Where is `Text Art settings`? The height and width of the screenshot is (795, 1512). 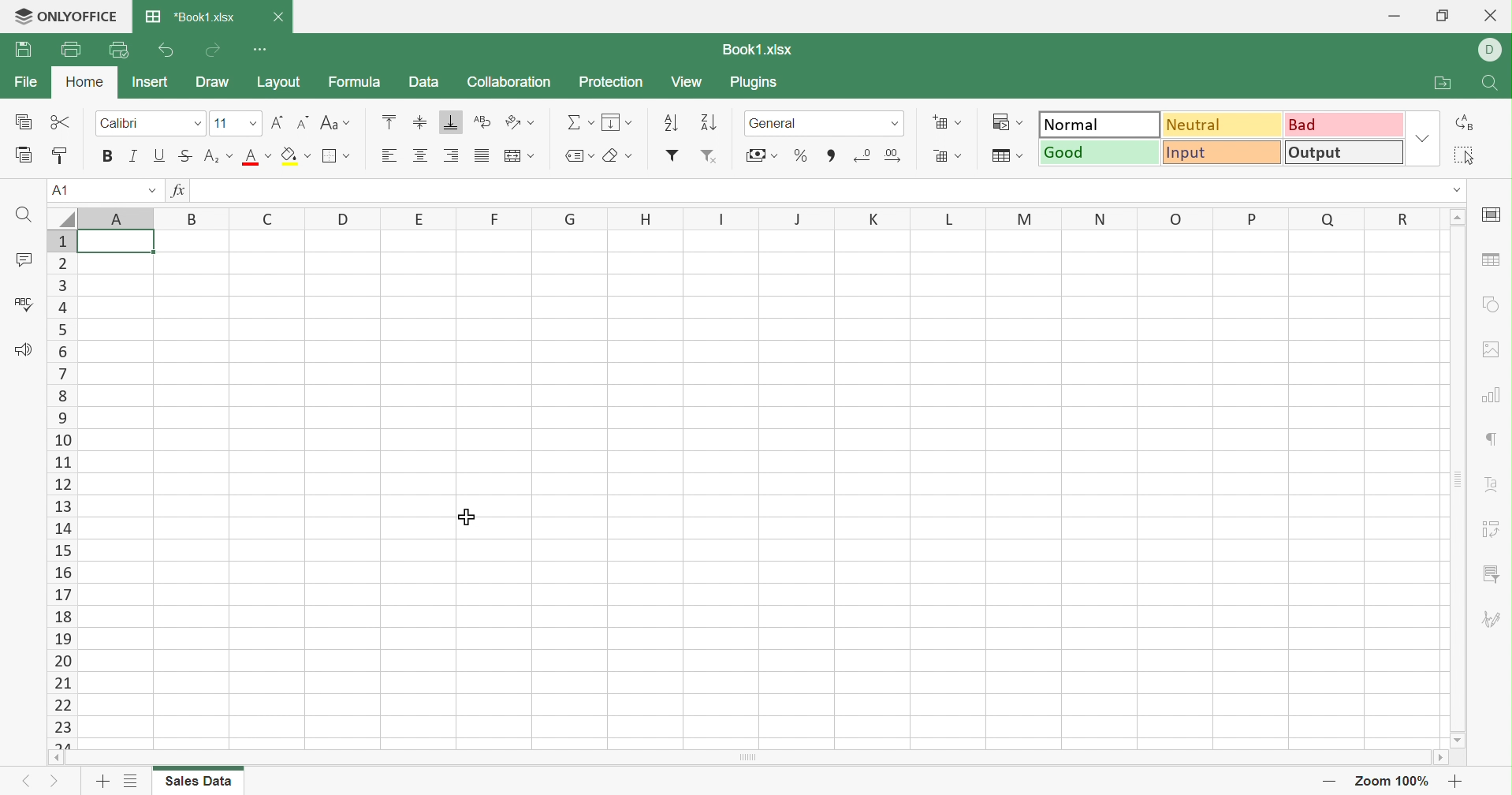 Text Art settings is located at coordinates (1493, 482).